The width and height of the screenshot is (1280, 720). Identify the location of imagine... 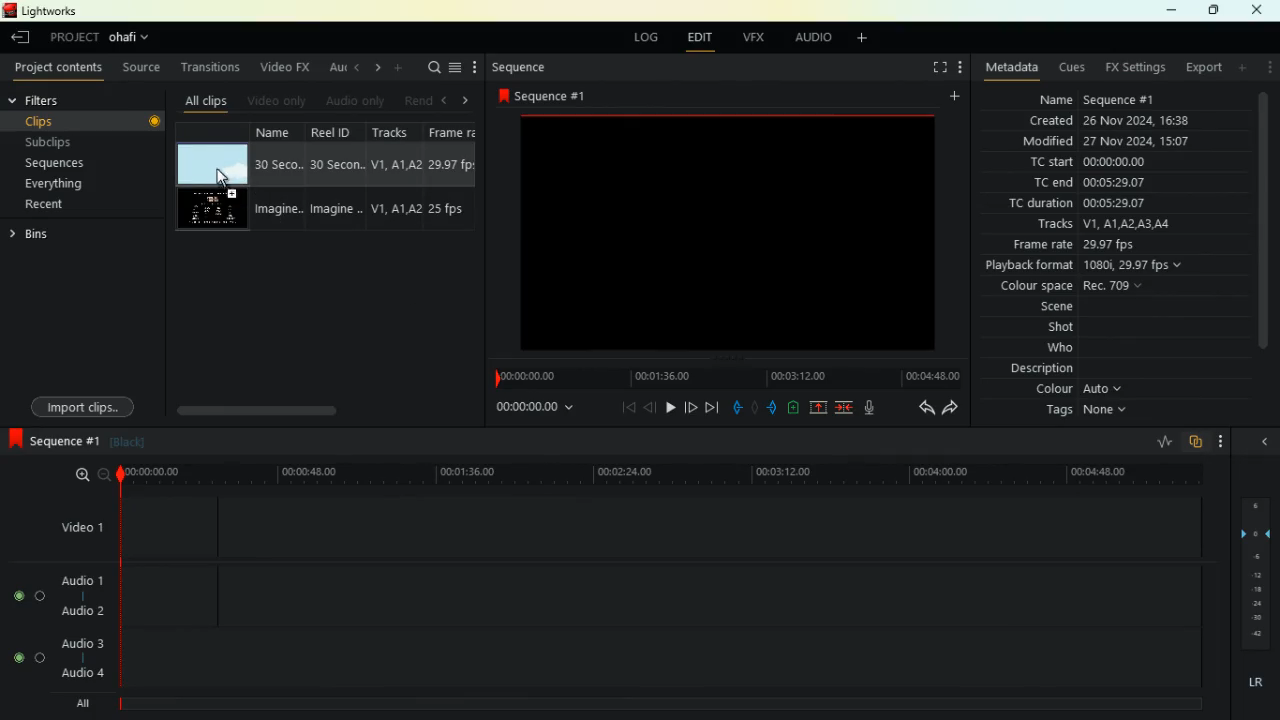
(336, 210).